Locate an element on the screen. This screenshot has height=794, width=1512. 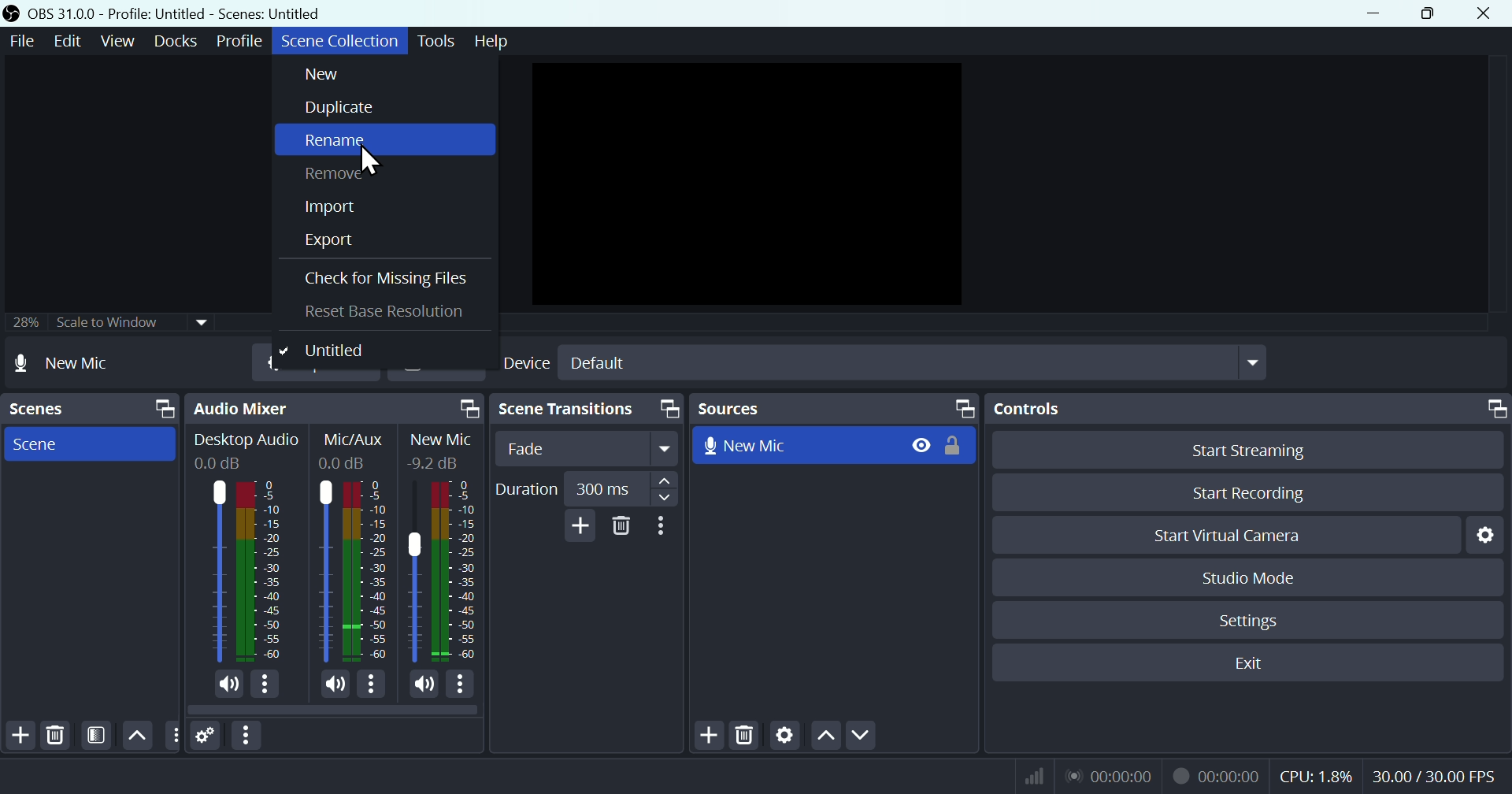
Reset base resolution is located at coordinates (377, 311).